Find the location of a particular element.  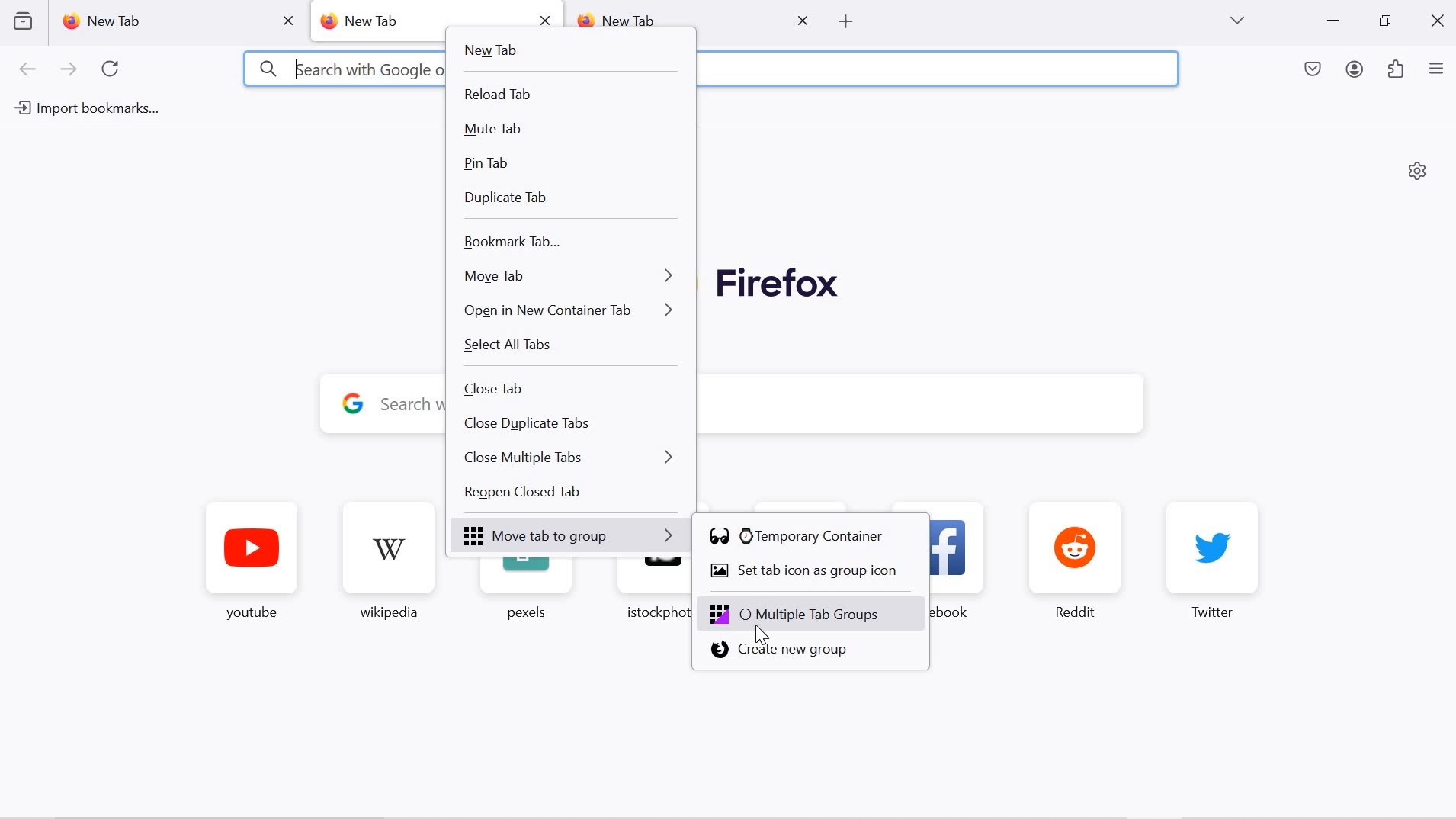

reddit favorite is located at coordinates (1071, 566).